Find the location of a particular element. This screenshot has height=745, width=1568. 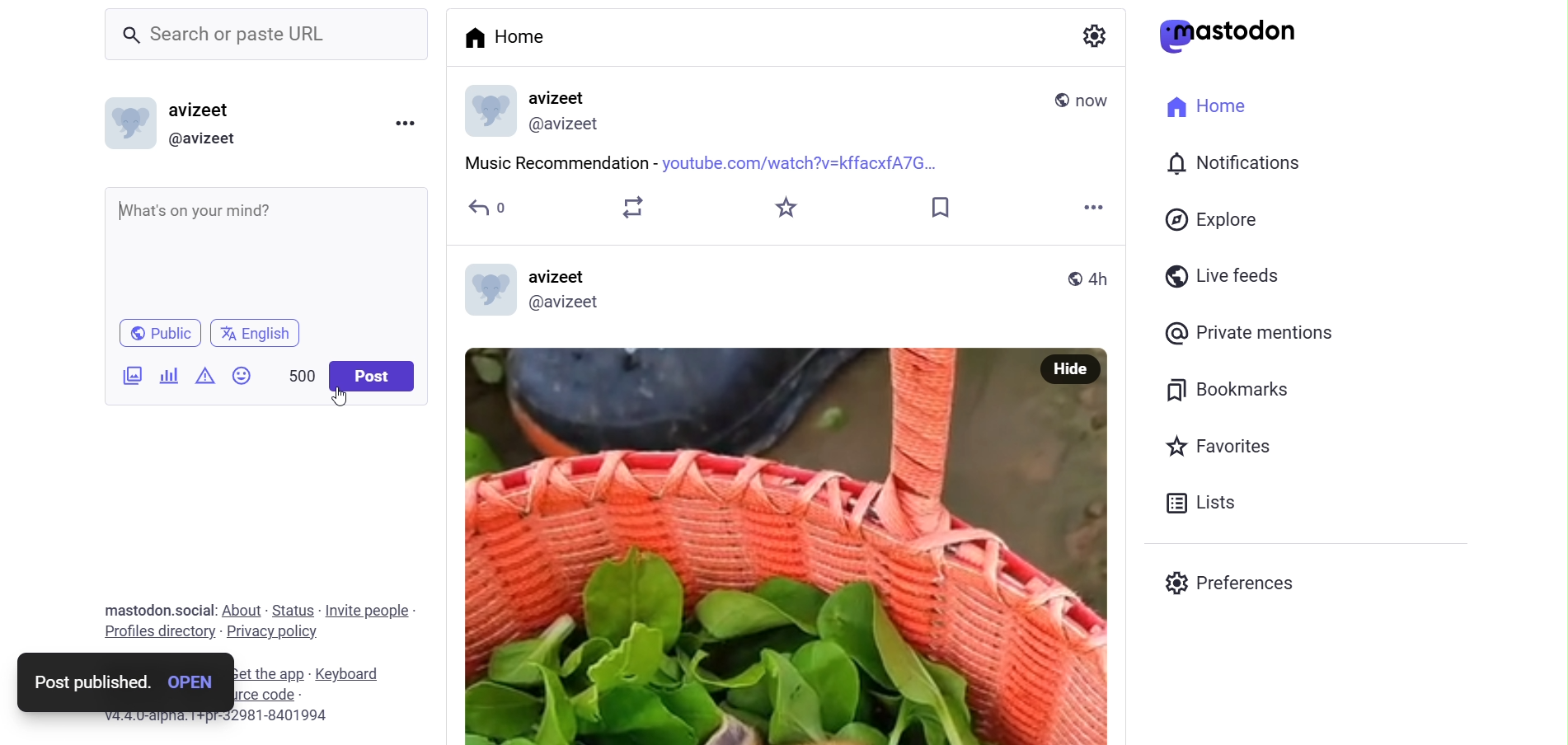

public is located at coordinates (1050, 97).